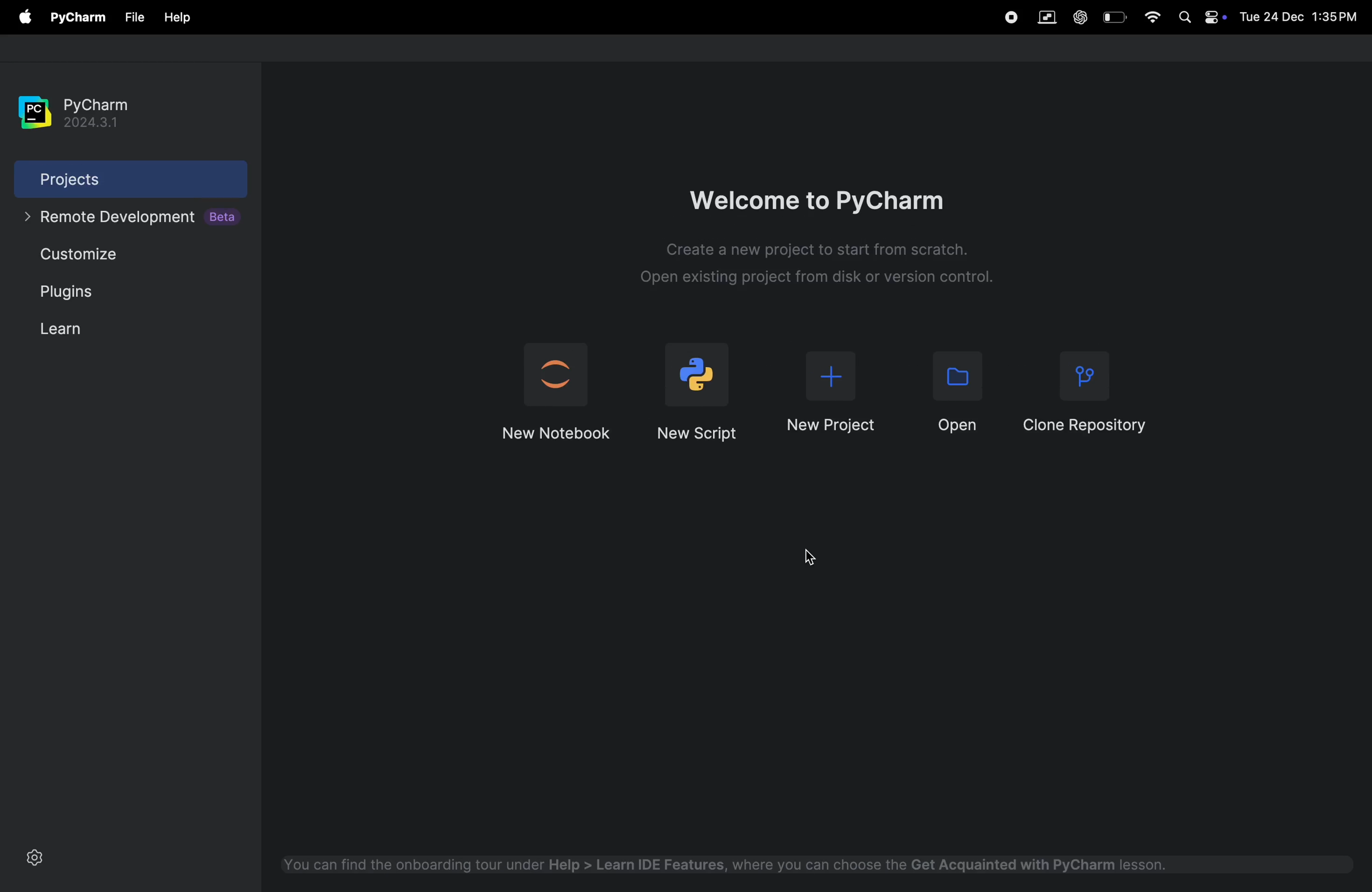 The image size is (1372, 892). Describe the element at coordinates (63, 327) in the screenshot. I see `learn` at that location.